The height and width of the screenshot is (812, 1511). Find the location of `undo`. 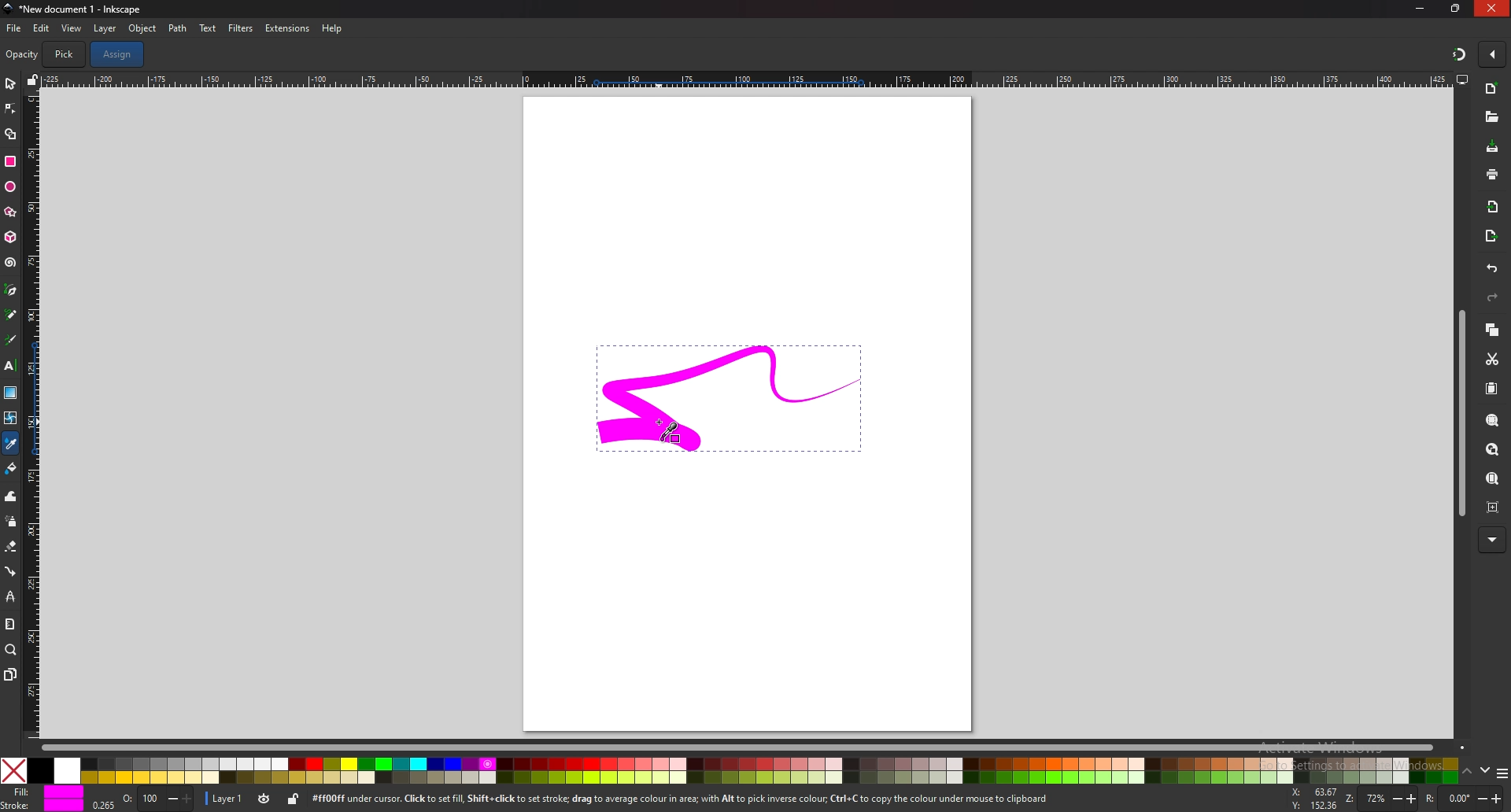

undo is located at coordinates (1492, 269).